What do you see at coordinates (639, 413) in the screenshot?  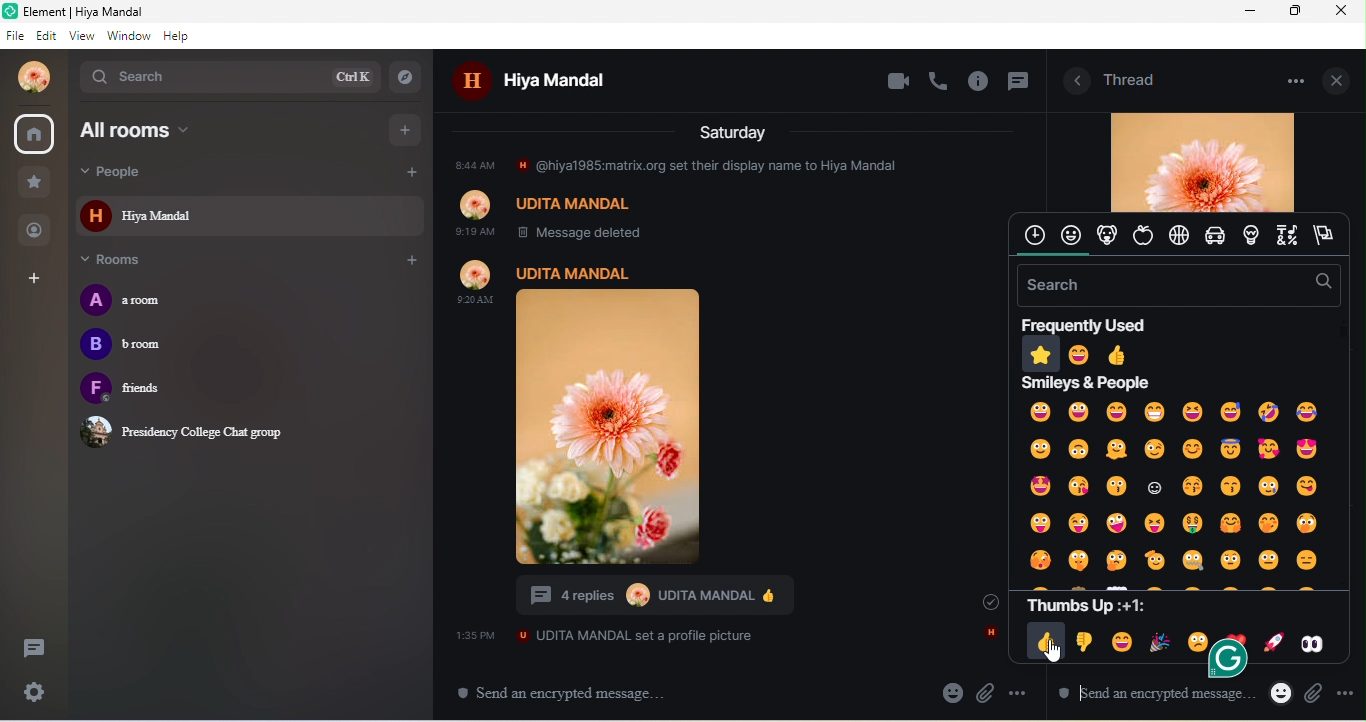 I see `profile photo` at bounding box center [639, 413].